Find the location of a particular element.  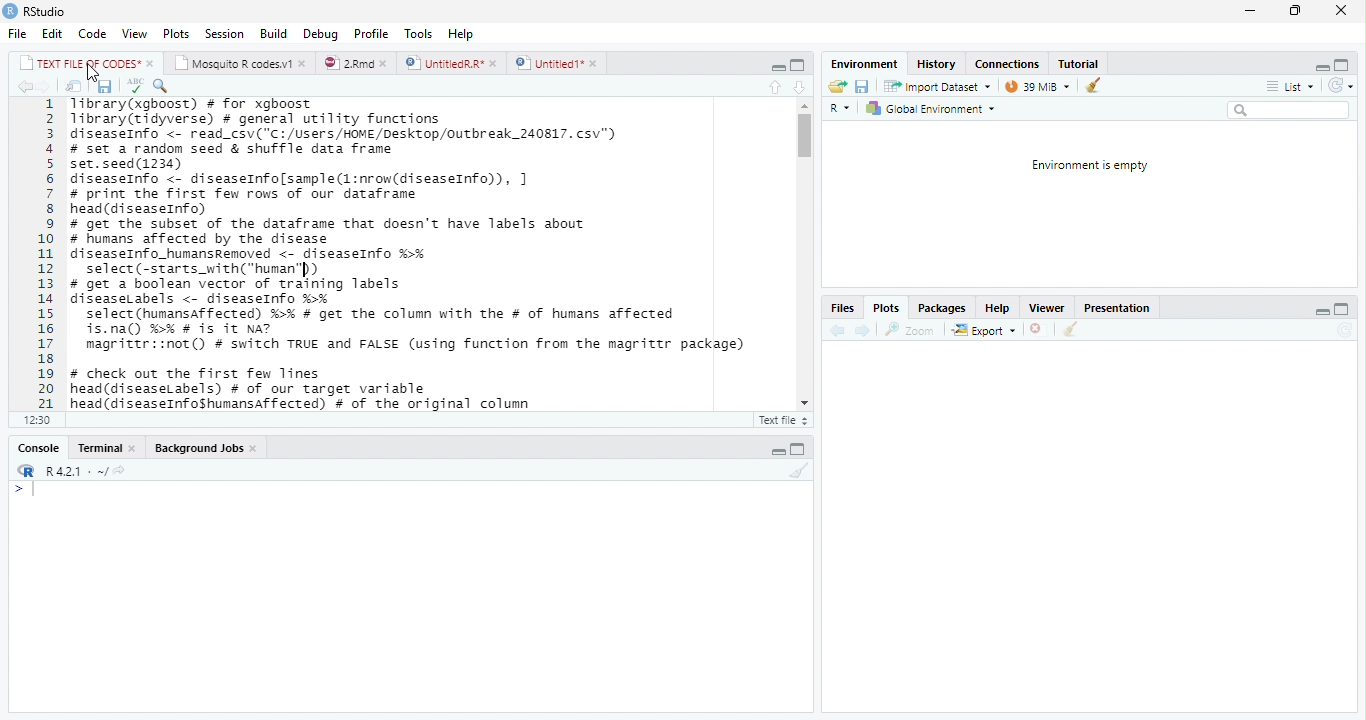

Text file is located at coordinates (783, 418).